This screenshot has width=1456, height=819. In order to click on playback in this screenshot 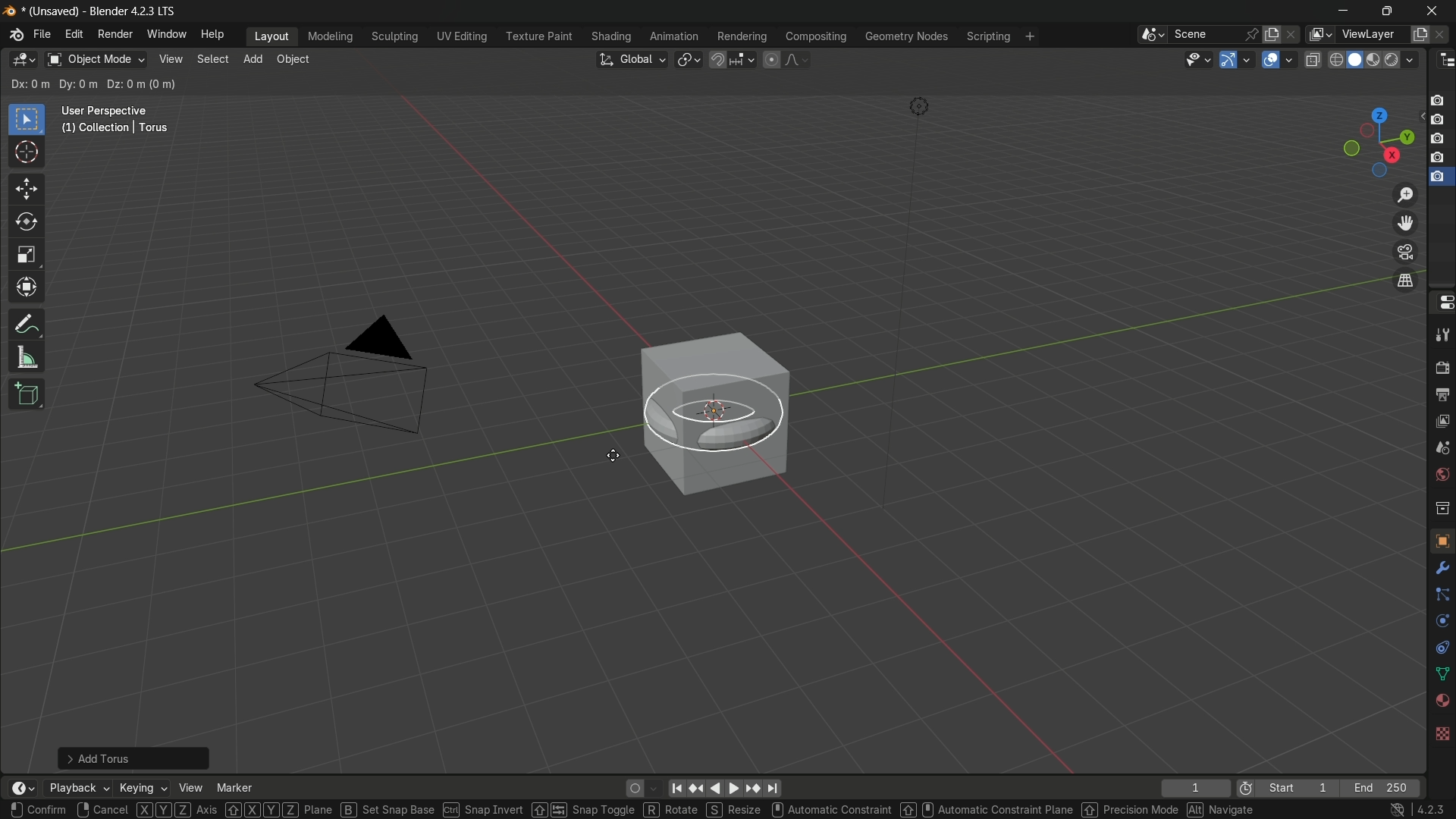, I will do `click(77, 788)`.